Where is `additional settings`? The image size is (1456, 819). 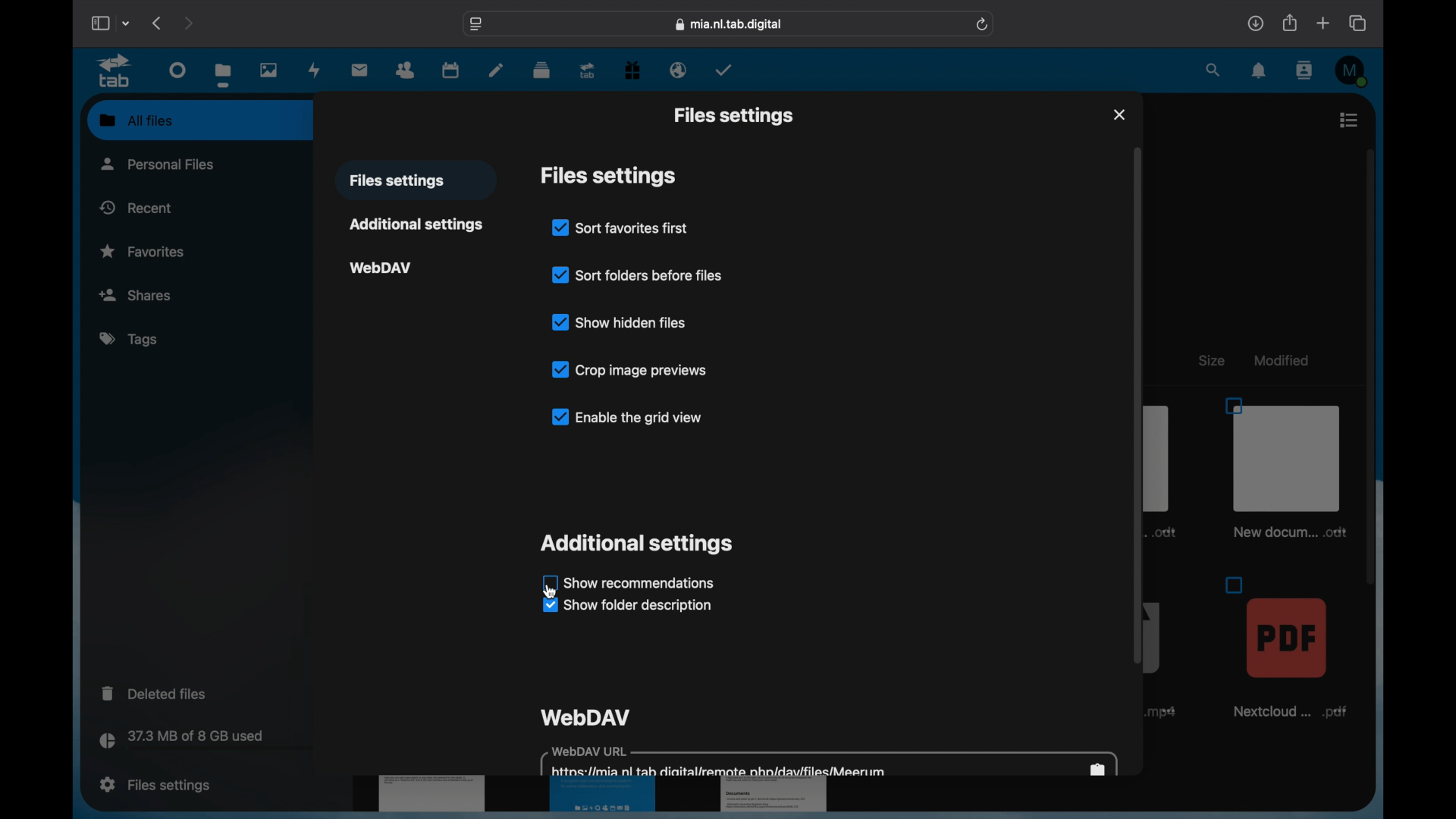 additional settings is located at coordinates (417, 224).